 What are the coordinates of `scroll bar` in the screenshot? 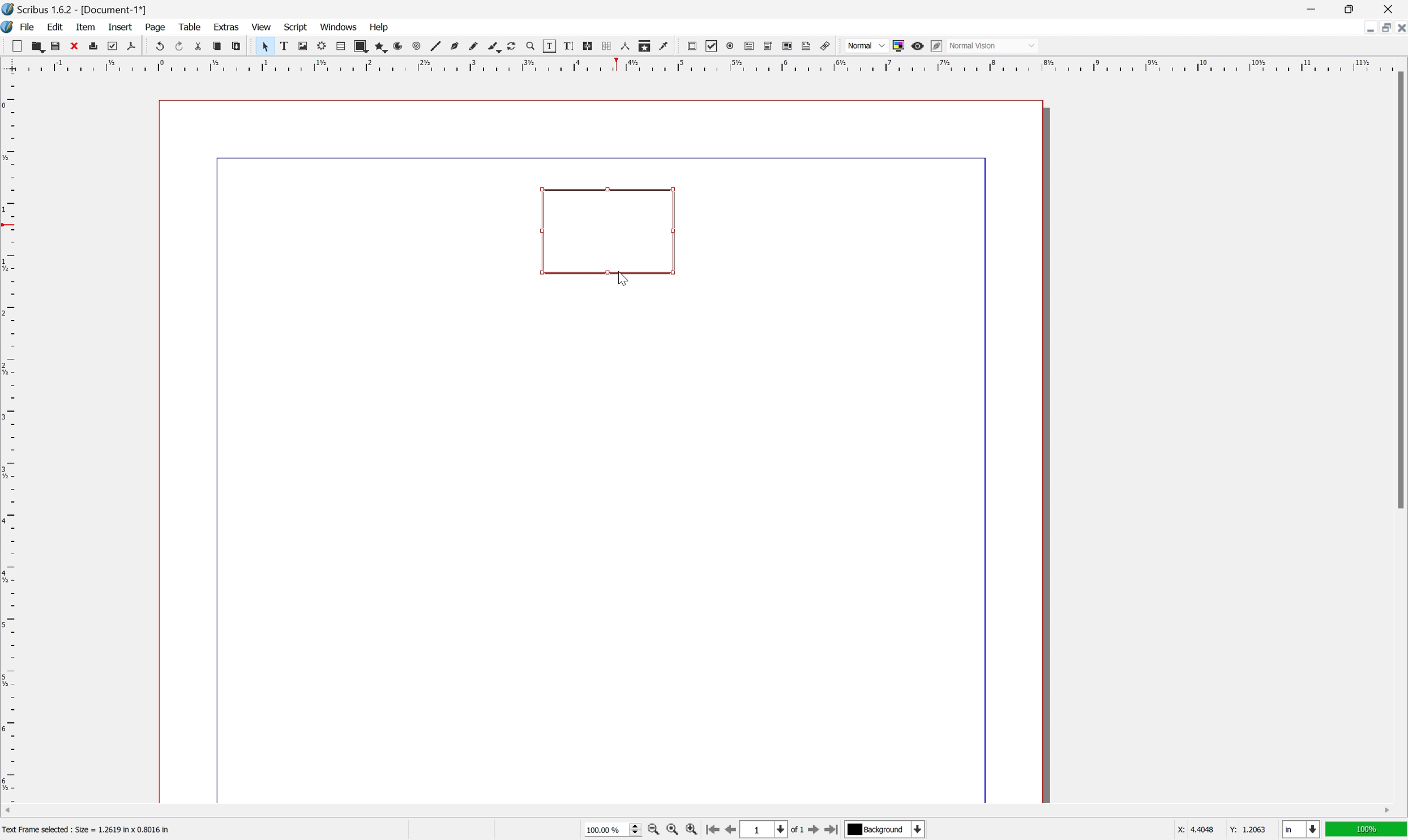 It's located at (699, 810).